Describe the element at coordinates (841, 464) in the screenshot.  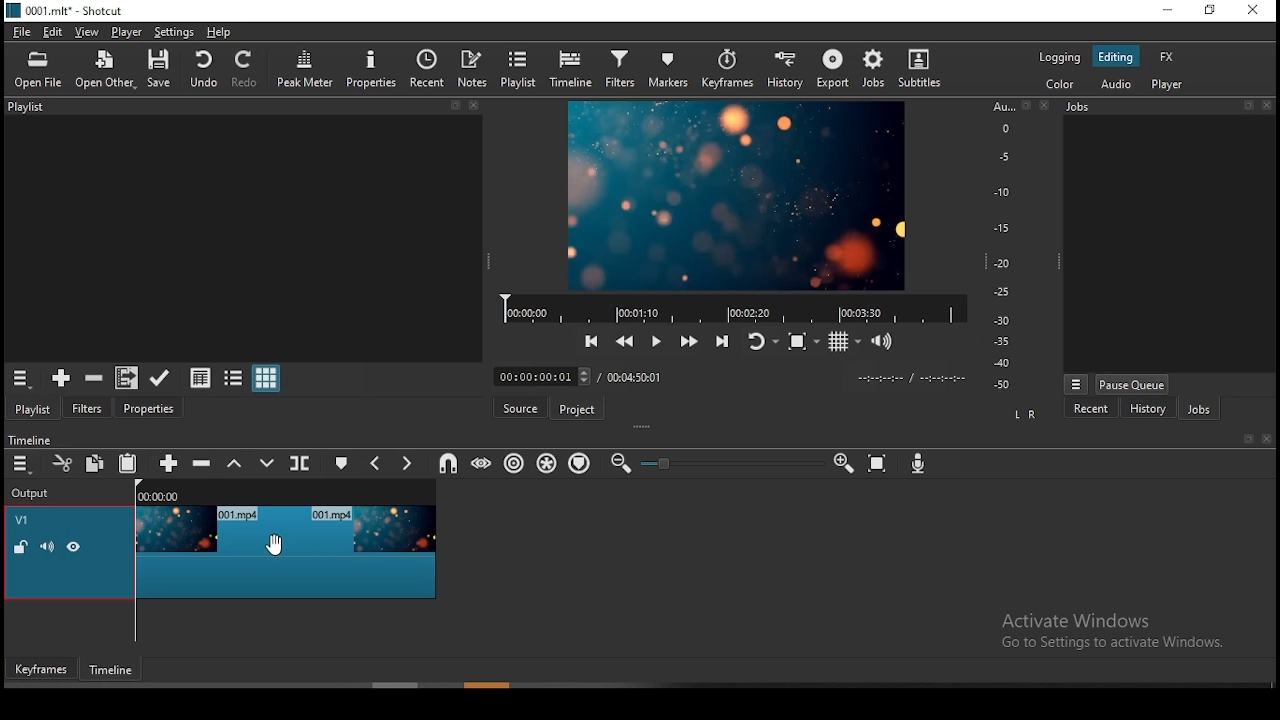
I see `zoom timeline In` at that location.